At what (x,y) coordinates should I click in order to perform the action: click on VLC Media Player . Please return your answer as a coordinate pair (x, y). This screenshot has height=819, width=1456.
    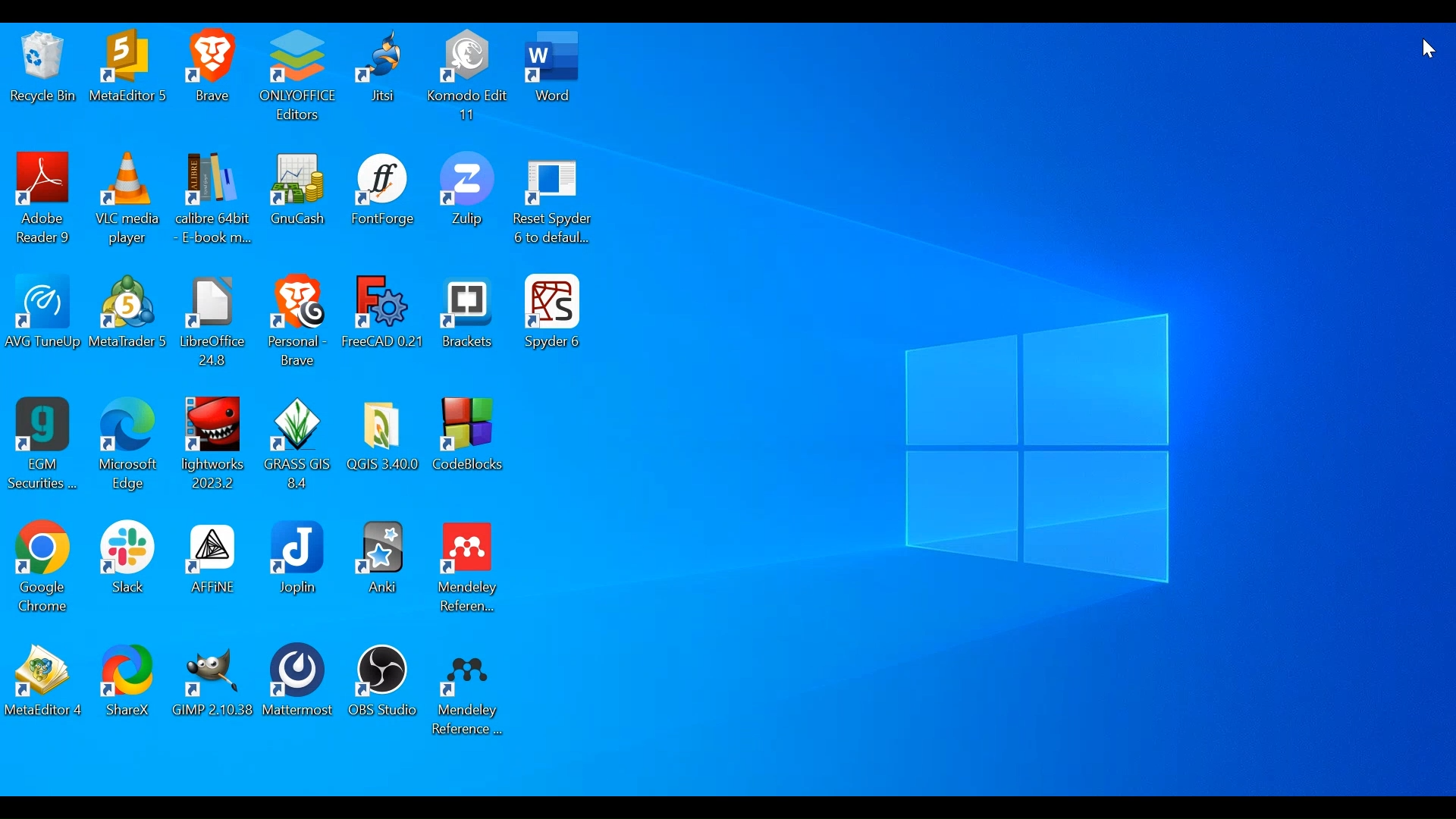
    Looking at the image, I should click on (128, 201).